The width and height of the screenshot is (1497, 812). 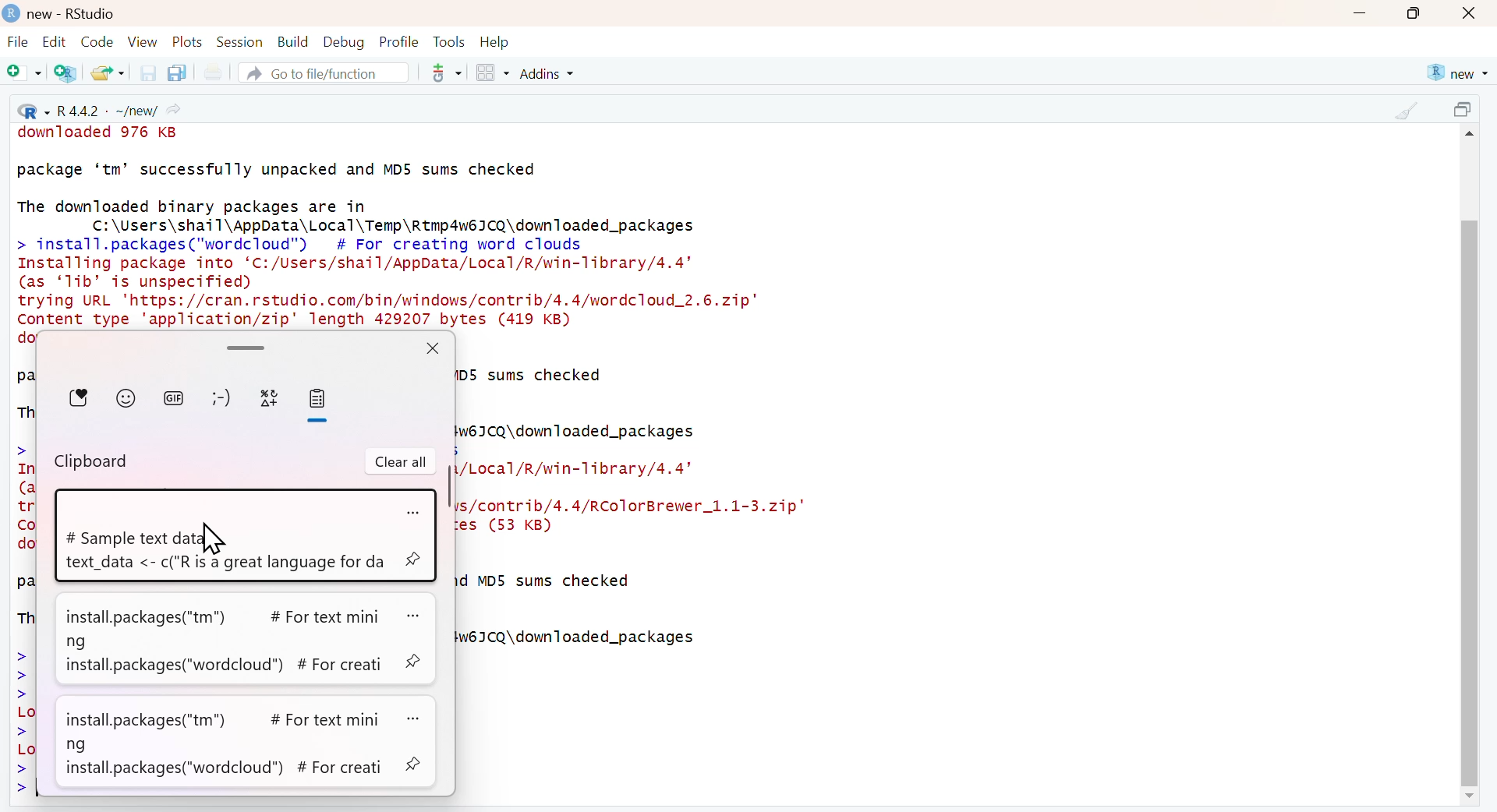 What do you see at coordinates (107, 72) in the screenshot?
I see `Open an existing file` at bounding box center [107, 72].